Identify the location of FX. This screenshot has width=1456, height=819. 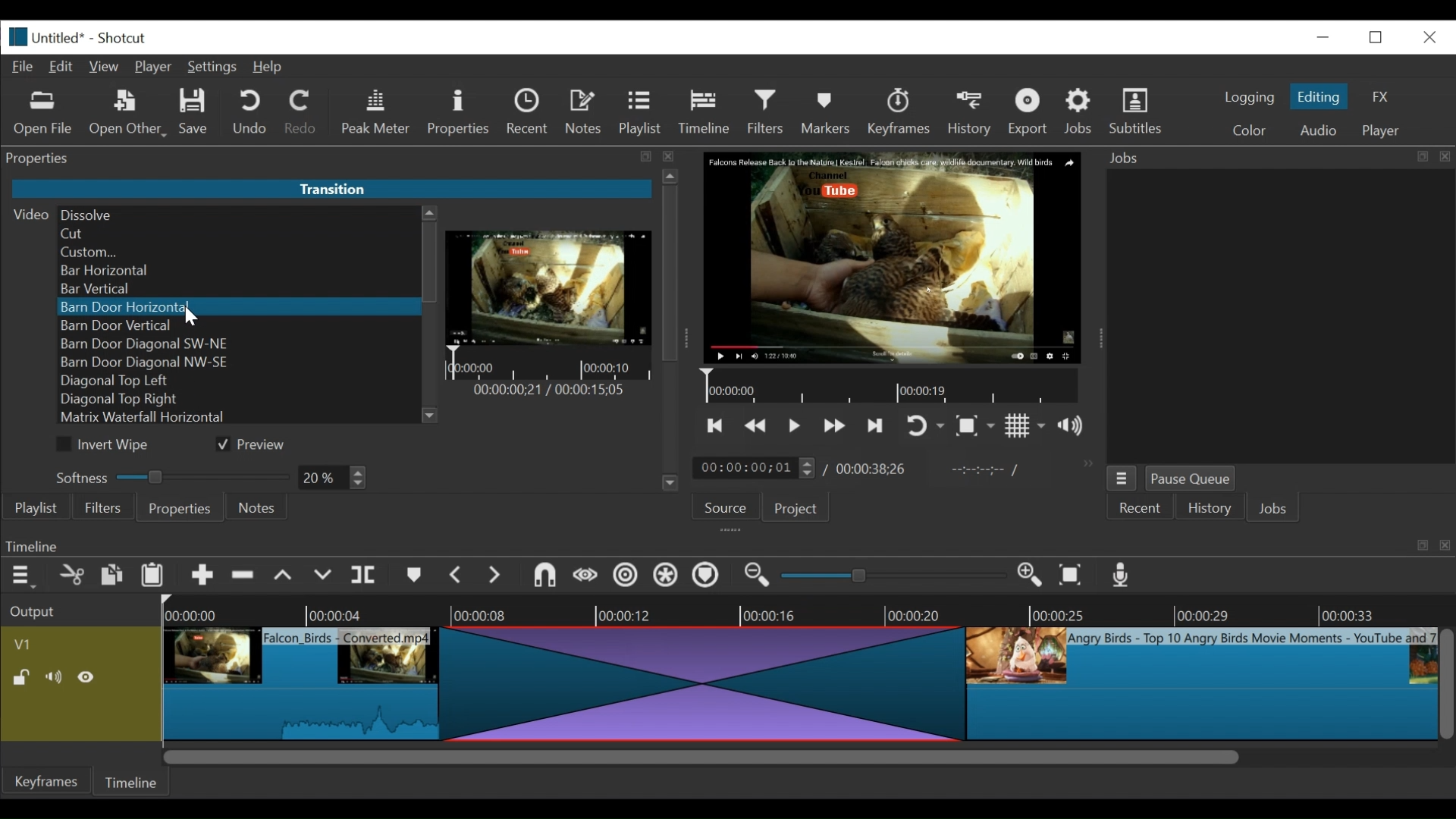
(1381, 97).